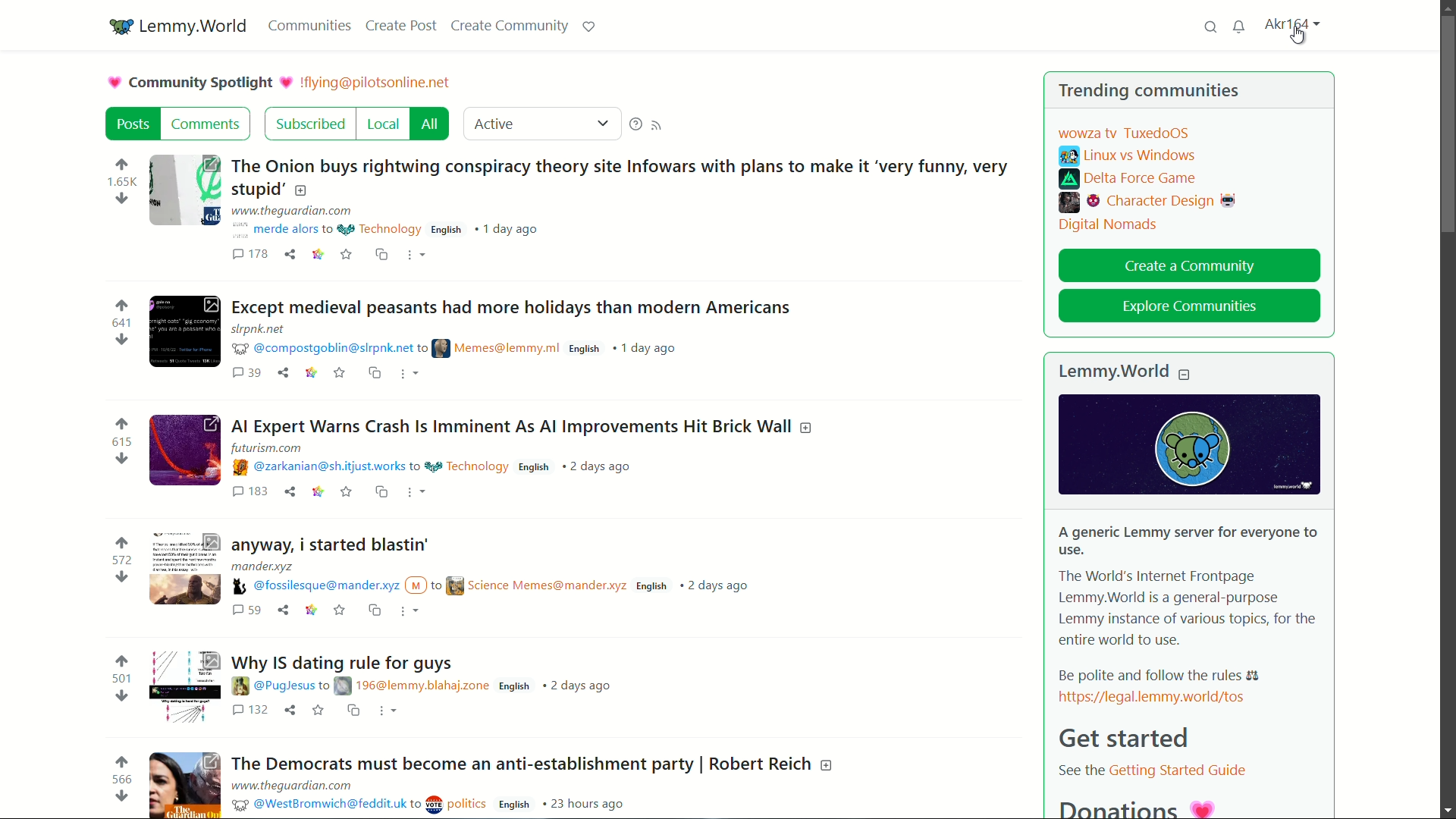  I want to click on picture, so click(289, 80).